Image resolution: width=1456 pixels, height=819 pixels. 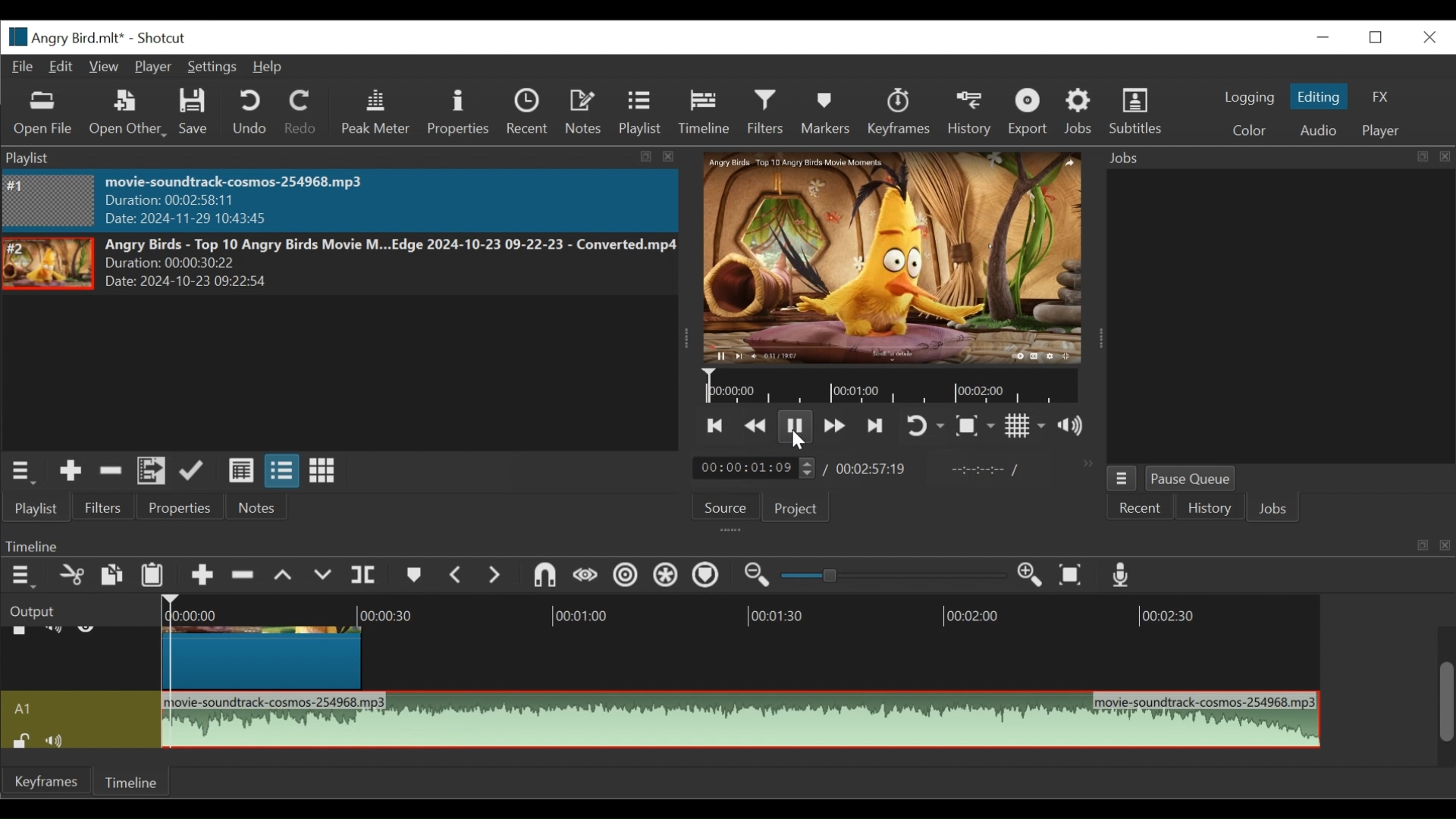 What do you see at coordinates (1446, 686) in the screenshot?
I see `Scrollbar` at bounding box center [1446, 686].